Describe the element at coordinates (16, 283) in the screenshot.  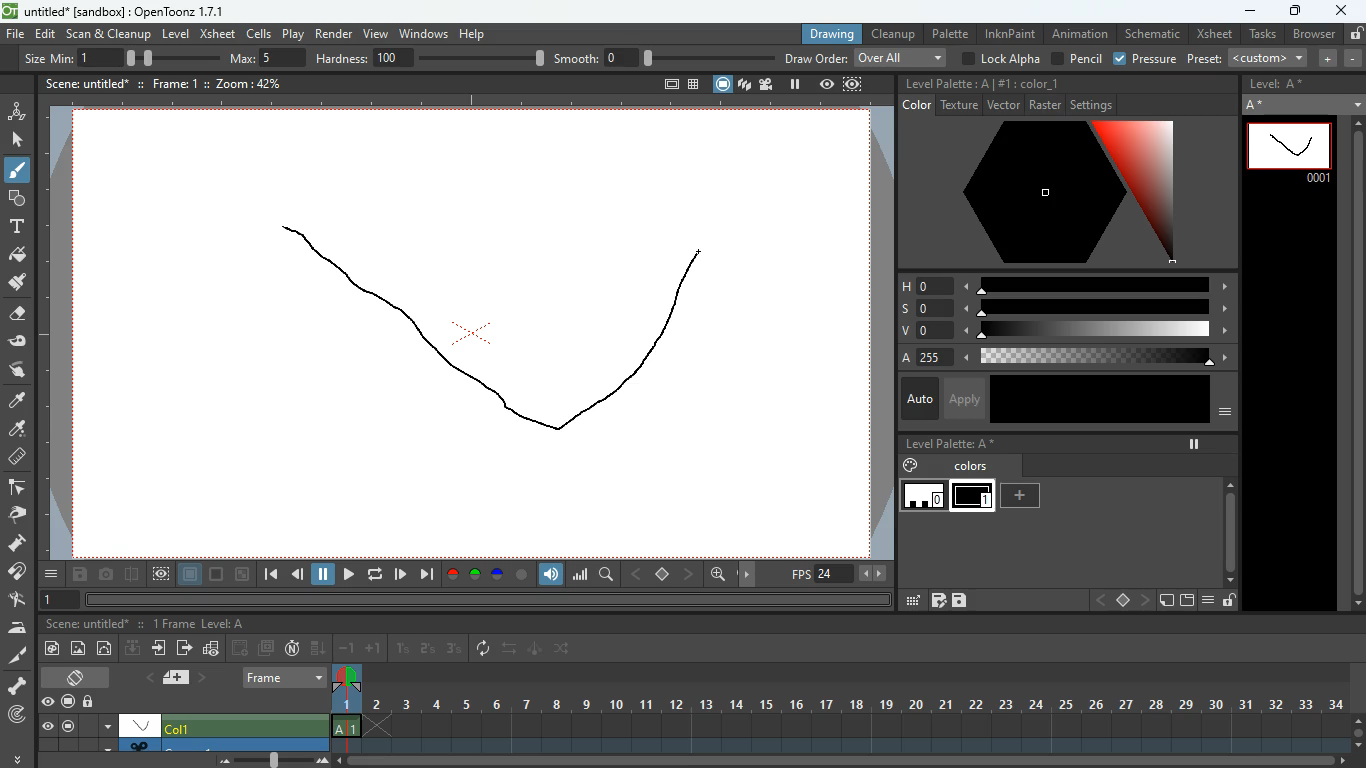
I see `paint` at that location.